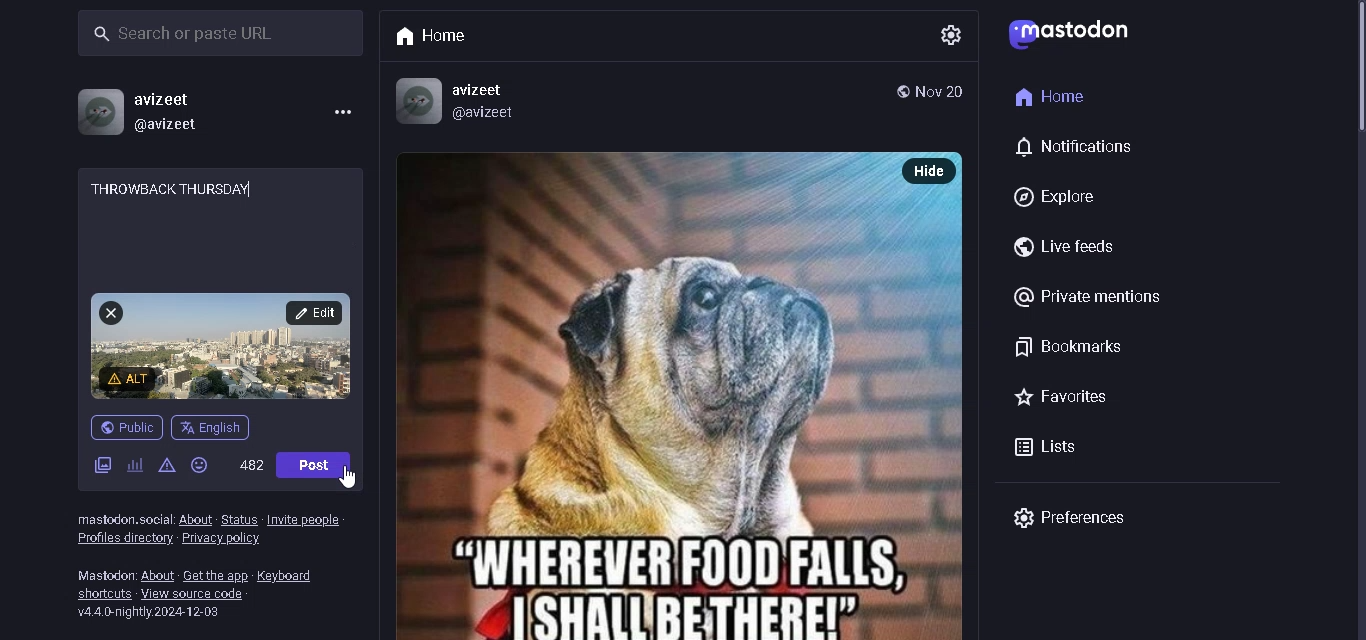  Describe the element at coordinates (1093, 297) in the screenshot. I see `@Private mentions` at that location.